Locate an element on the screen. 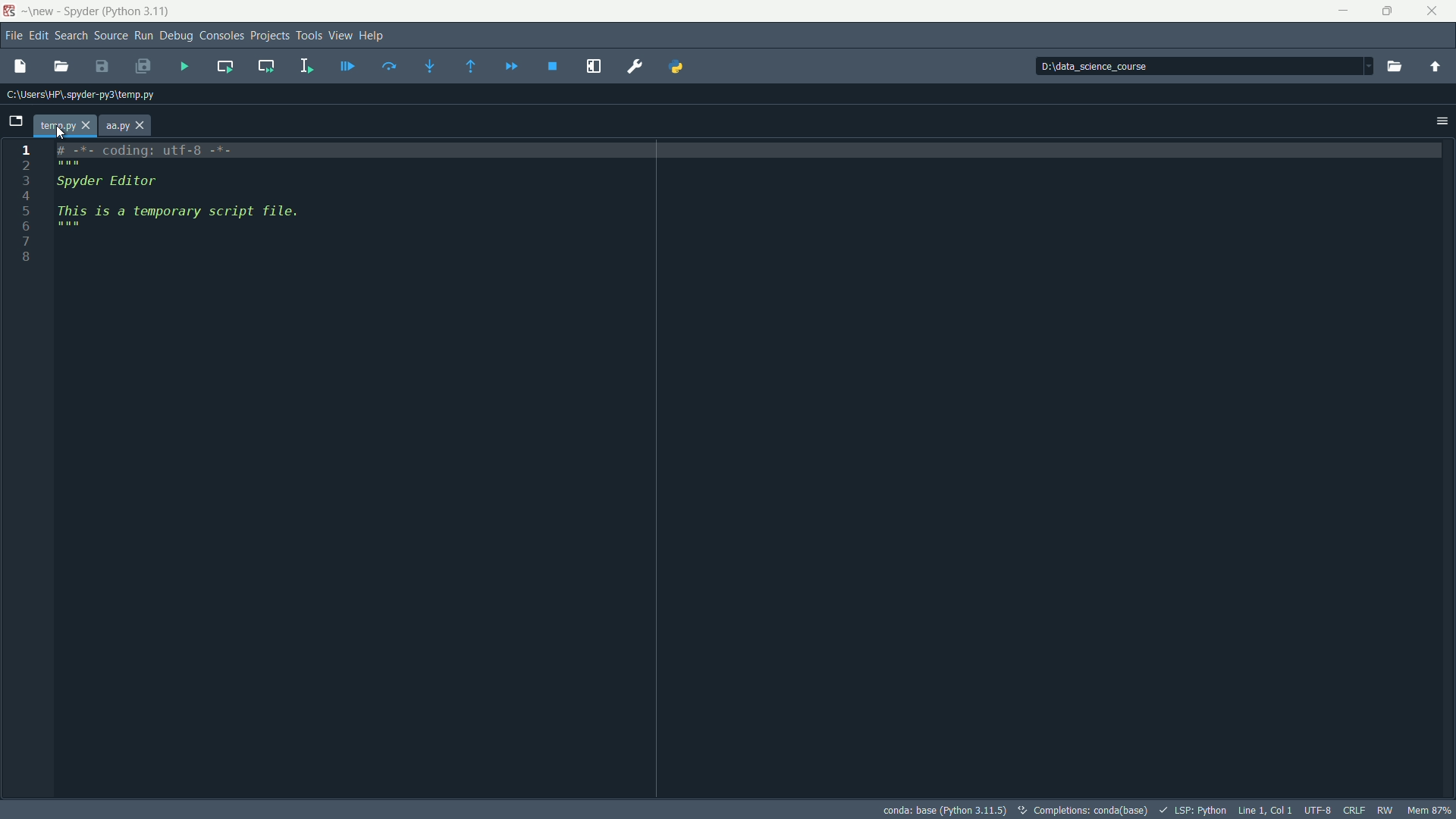 The image size is (1456, 819). run file is located at coordinates (186, 67).